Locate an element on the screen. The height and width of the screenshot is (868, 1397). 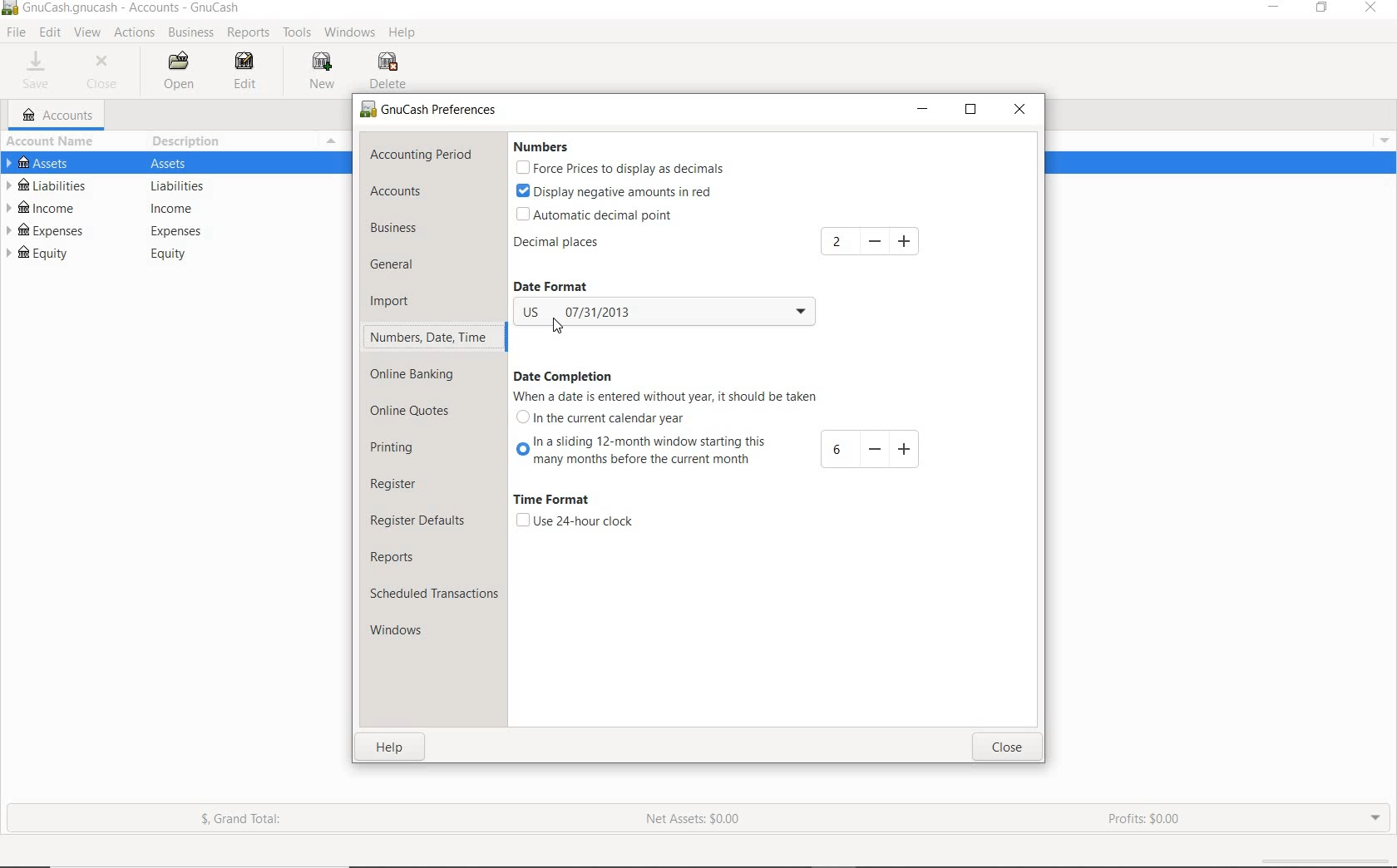
when a date is entered without year, it should be taken is located at coordinates (669, 397).